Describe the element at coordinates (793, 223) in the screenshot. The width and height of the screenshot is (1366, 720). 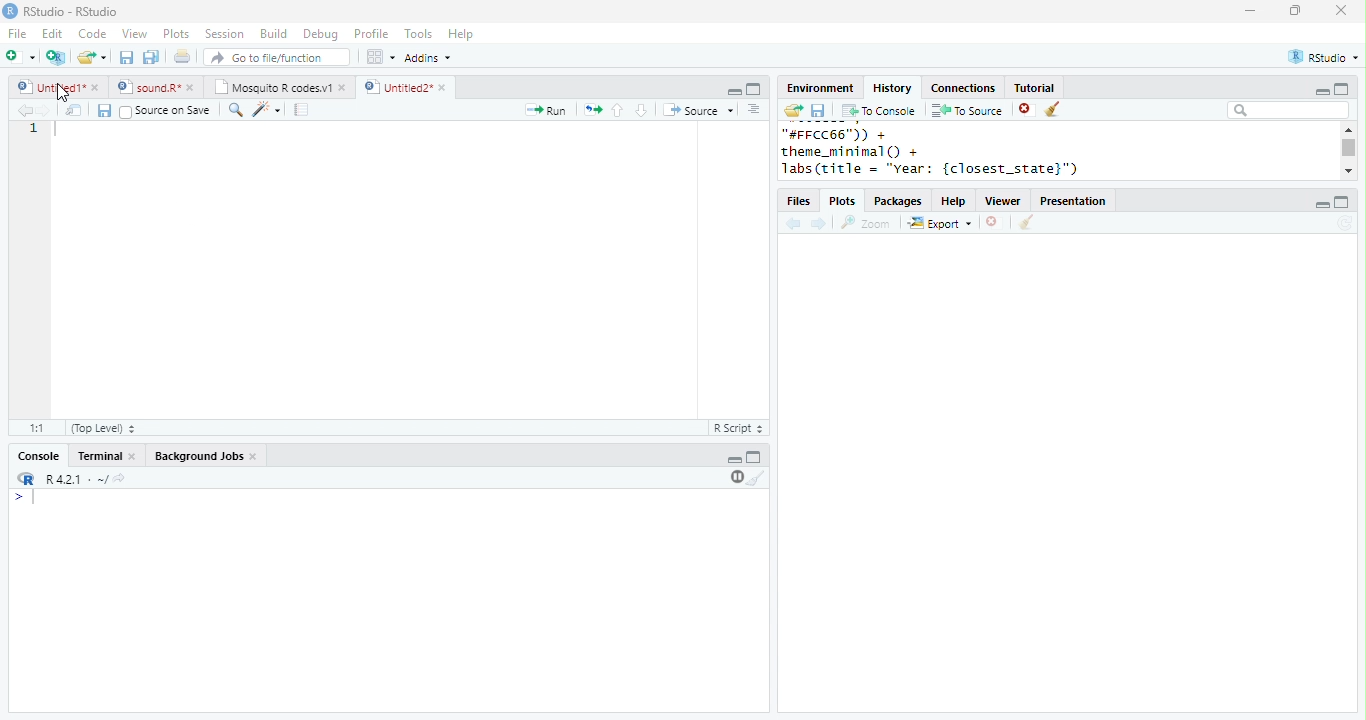
I see `back` at that location.